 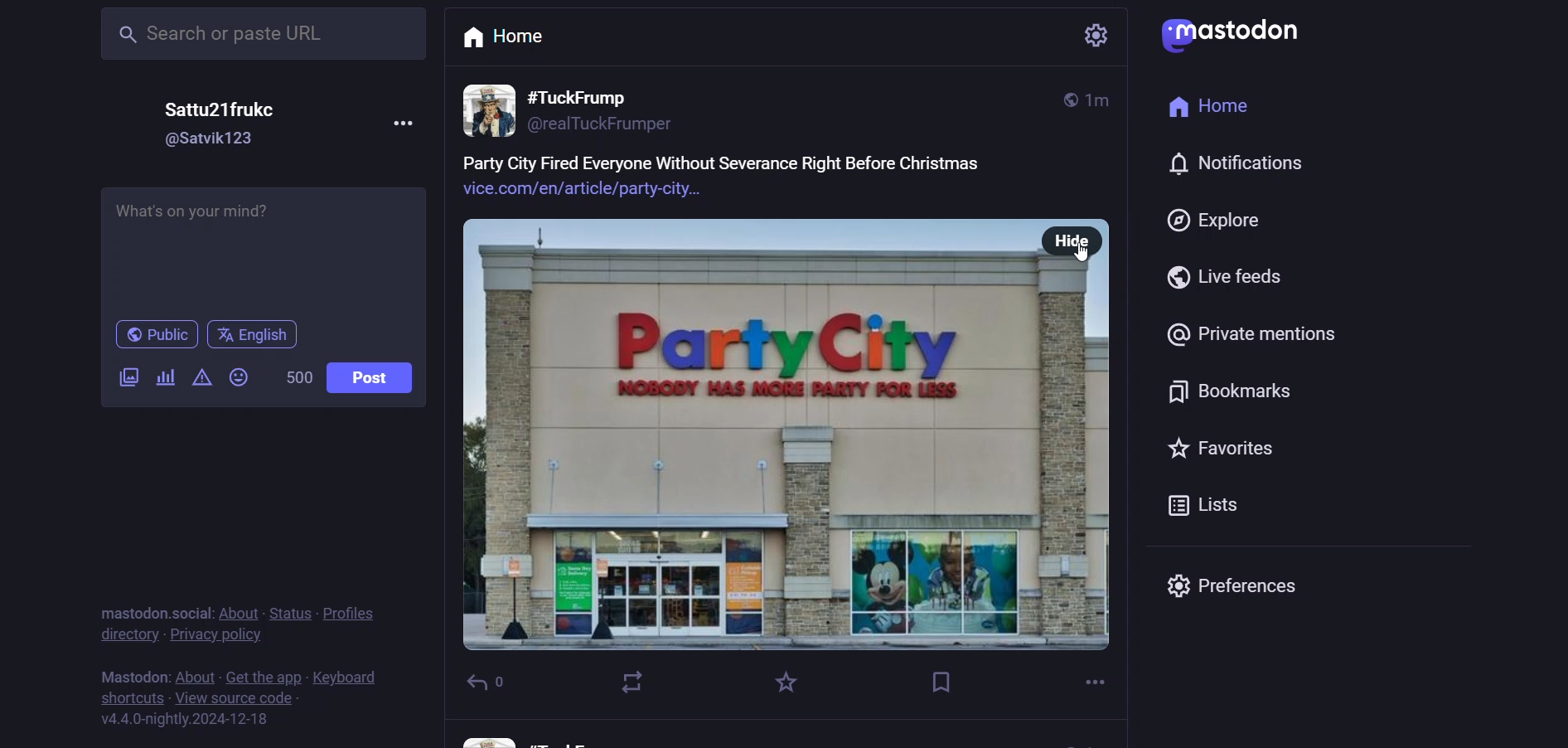 I want to click on content warning, so click(x=200, y=376).